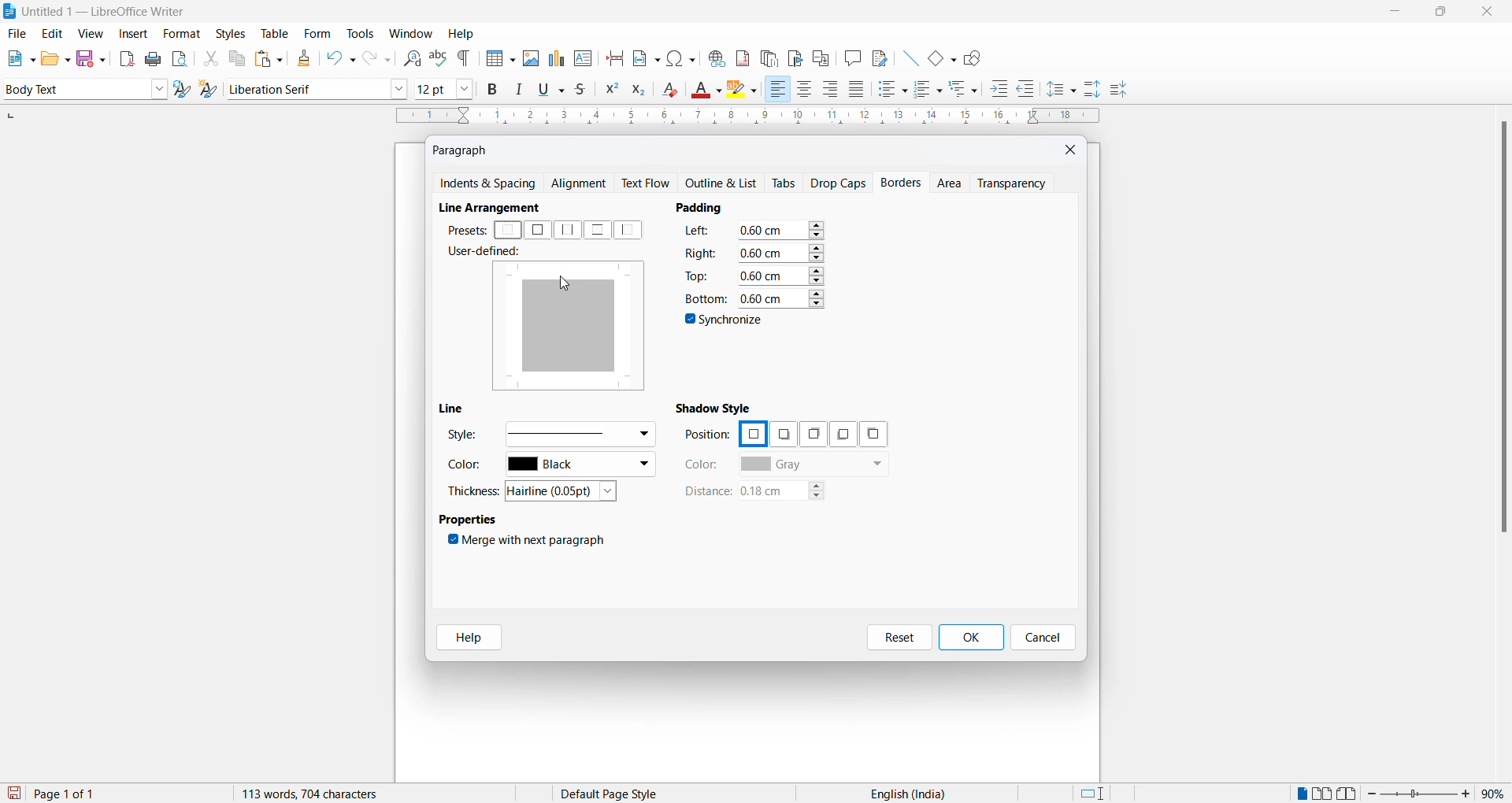 The width and height of the screenshot is (1512, 803). What do you see at coordinates (615, 57) in the screenshot?
I see `page break` at bounding box center [615, 57].